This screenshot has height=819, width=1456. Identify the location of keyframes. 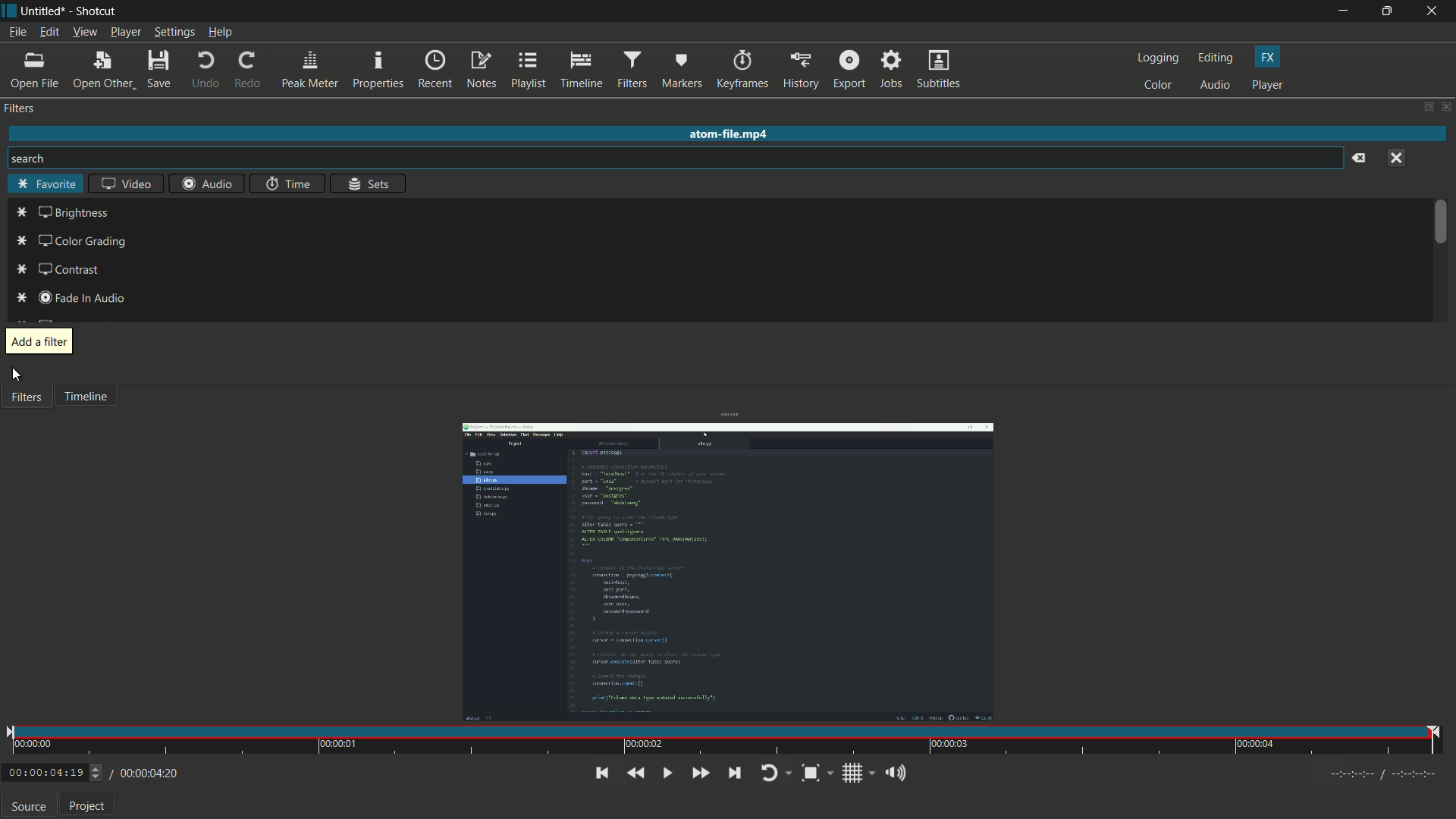
(743, 71).